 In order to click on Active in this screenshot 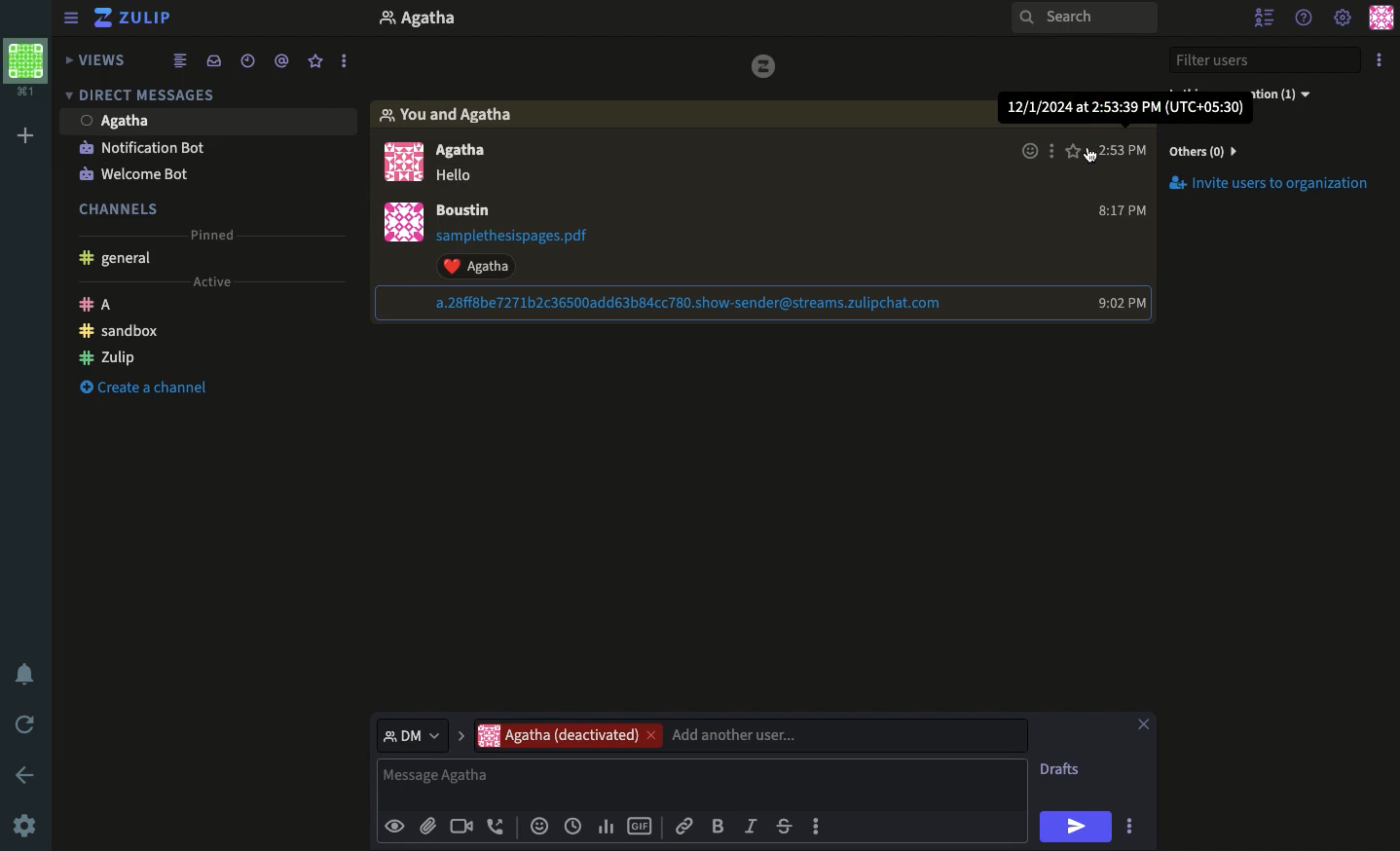, I will do `click(213, 281)`.